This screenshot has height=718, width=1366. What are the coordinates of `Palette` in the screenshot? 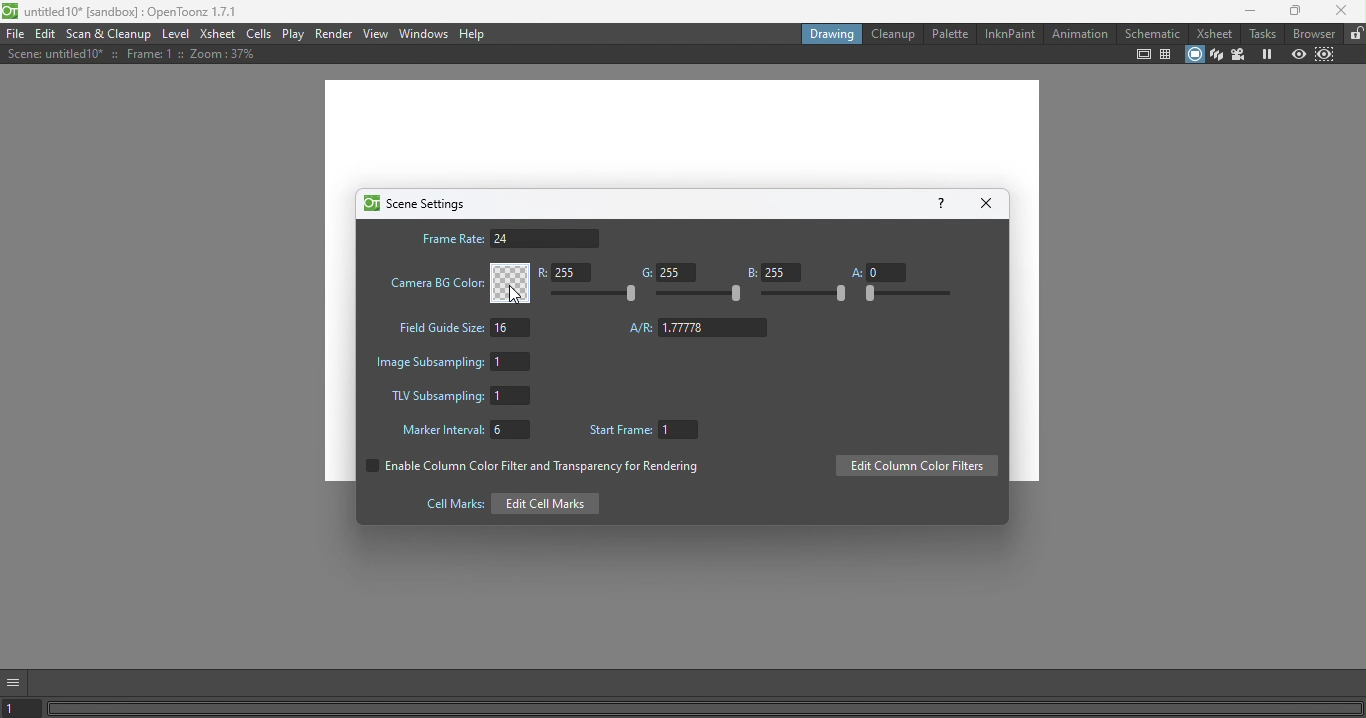 It's located at (949, 33).